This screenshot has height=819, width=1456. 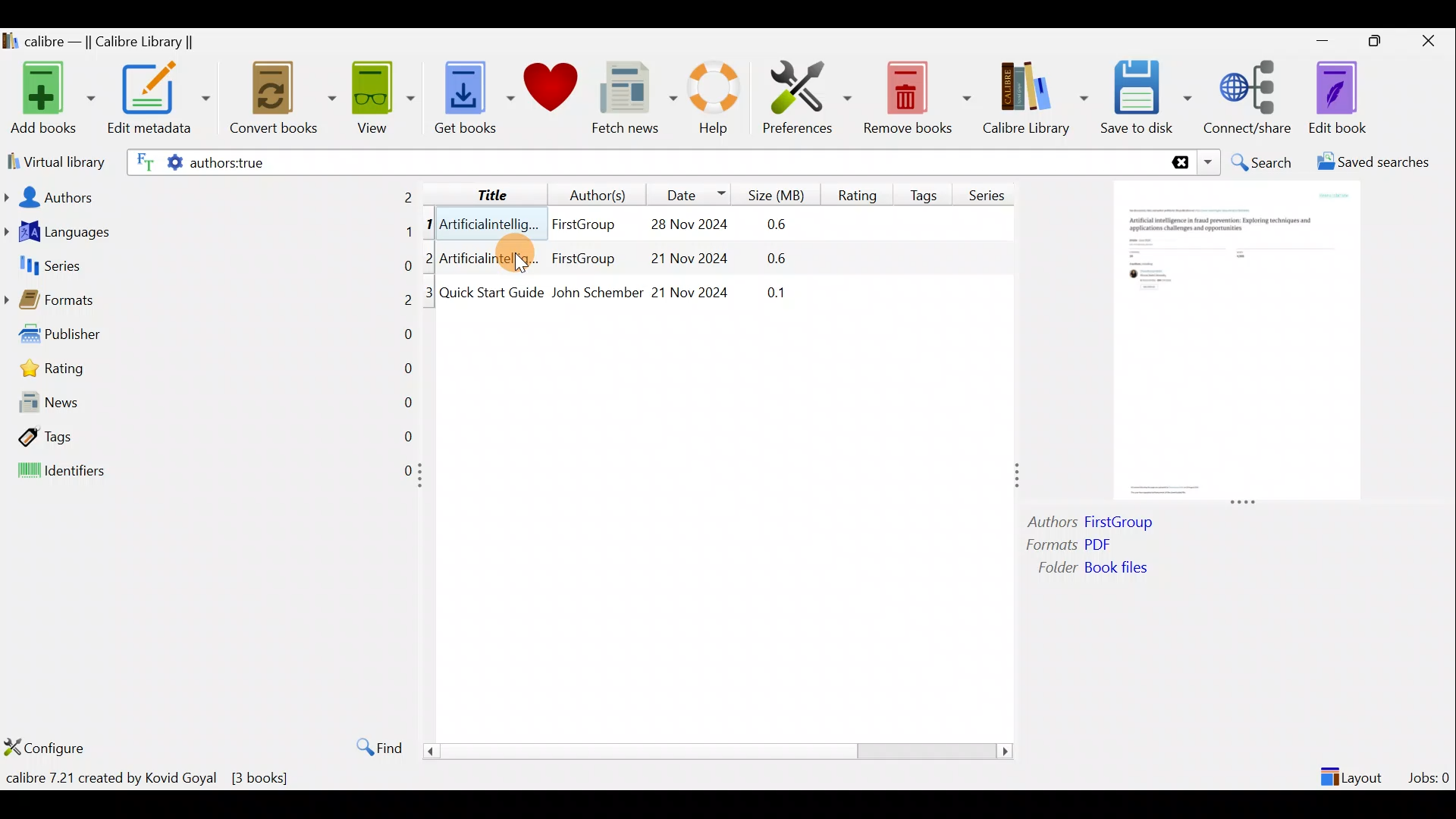 I want to click on Search dropdown, so click(x=1210, y=162).